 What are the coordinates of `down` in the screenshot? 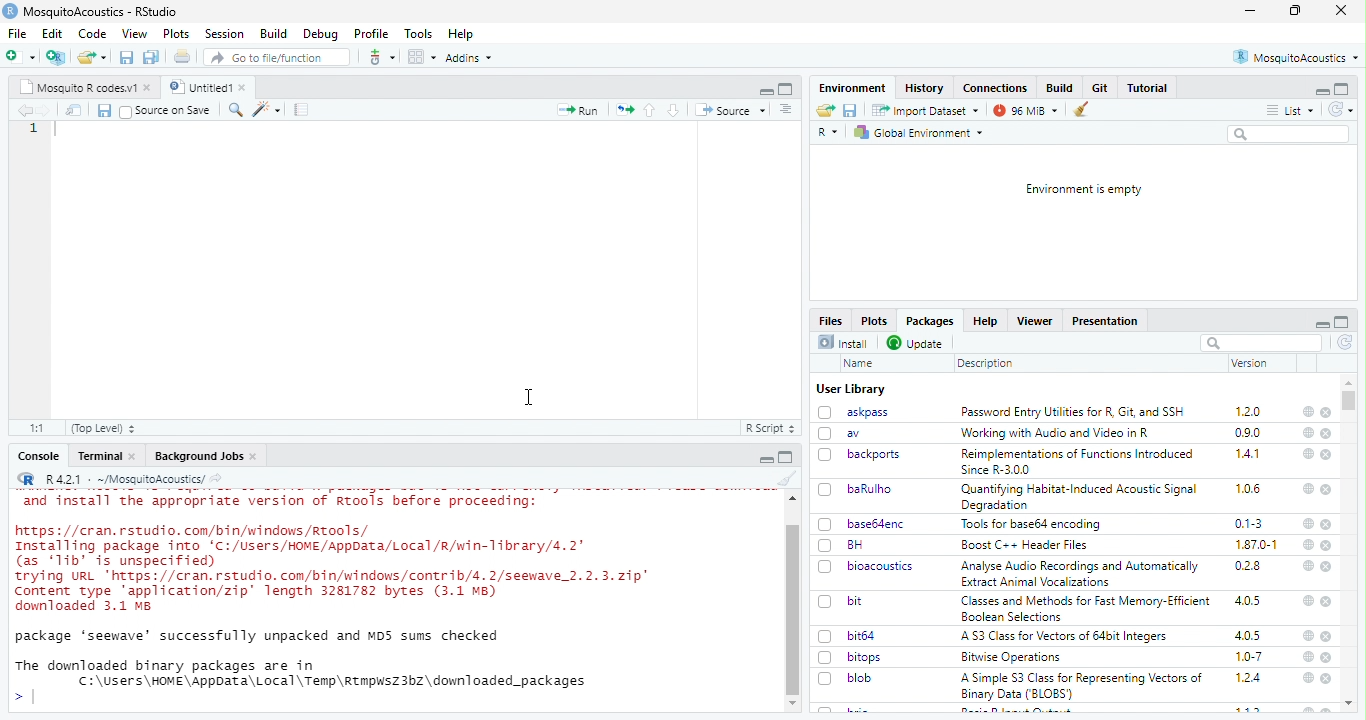 It's located at (675, 110).